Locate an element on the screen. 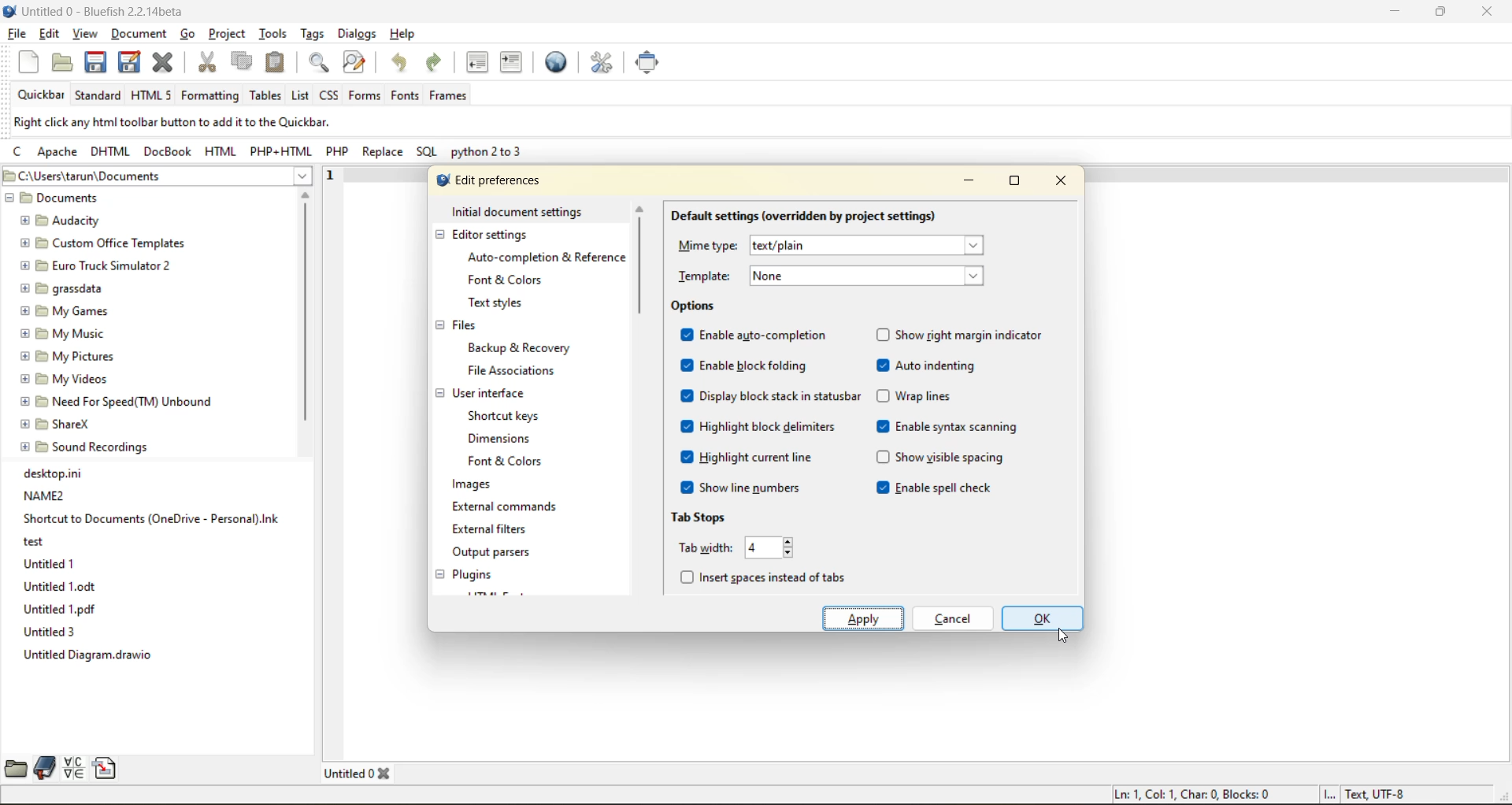 This screenshot has width=1512, height=805. default settings is located at coordinates (803, 216).